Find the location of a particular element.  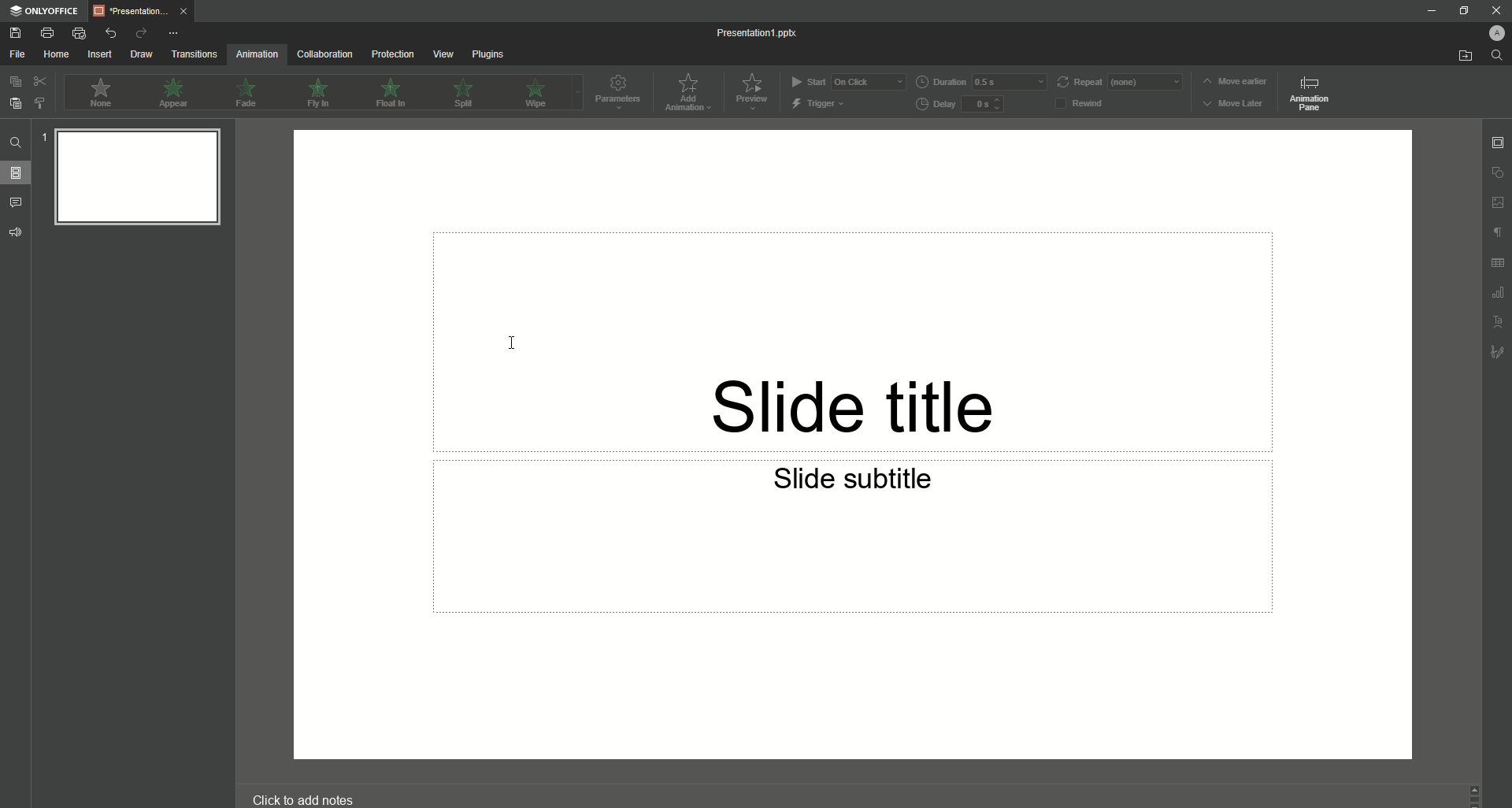

Restore is located at coordinates (1462, 11).